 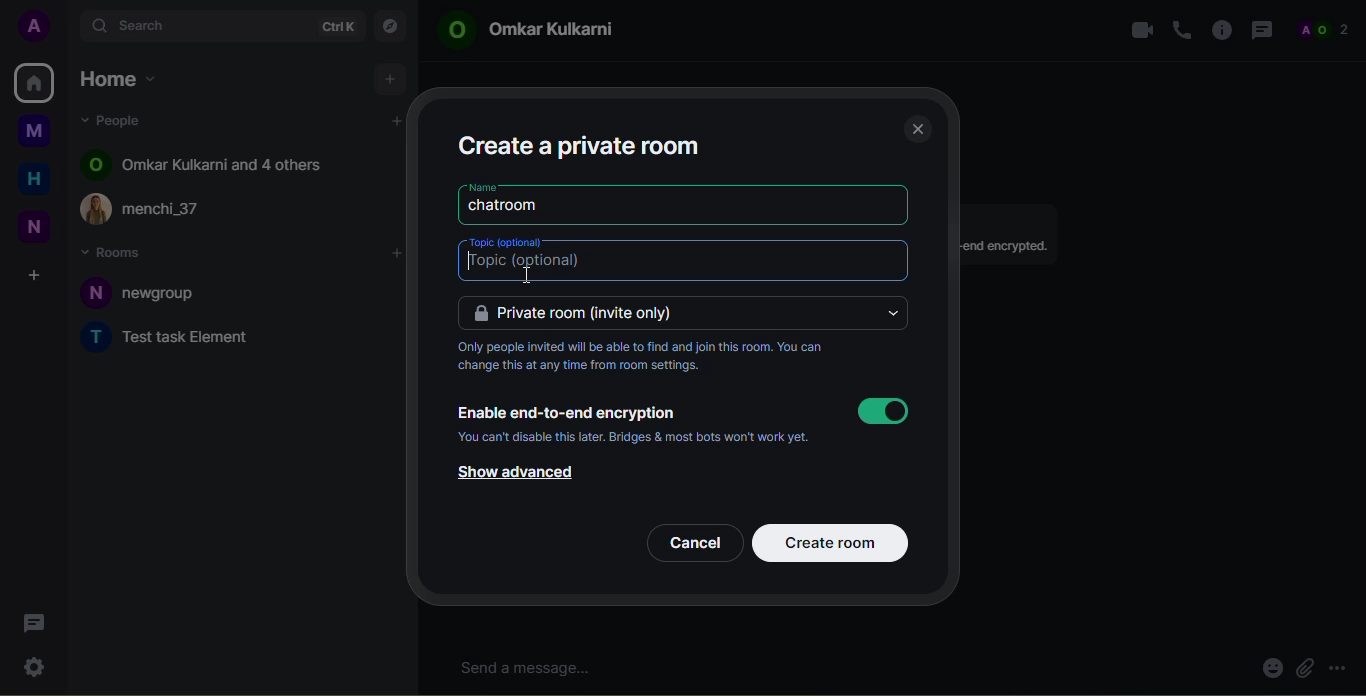 I want to click on home, so click(x=122, y=82).